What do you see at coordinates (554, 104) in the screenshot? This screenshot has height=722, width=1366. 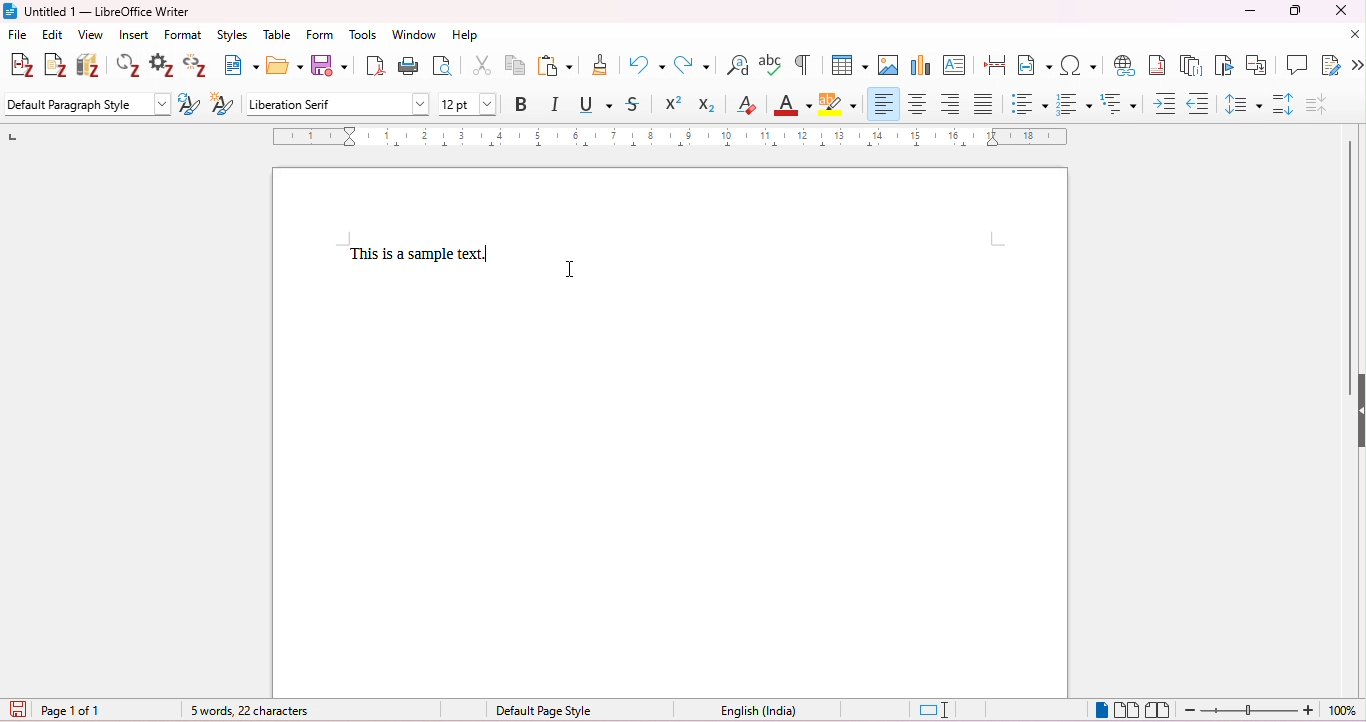 I see `italics` at bounding box center [554, 104].